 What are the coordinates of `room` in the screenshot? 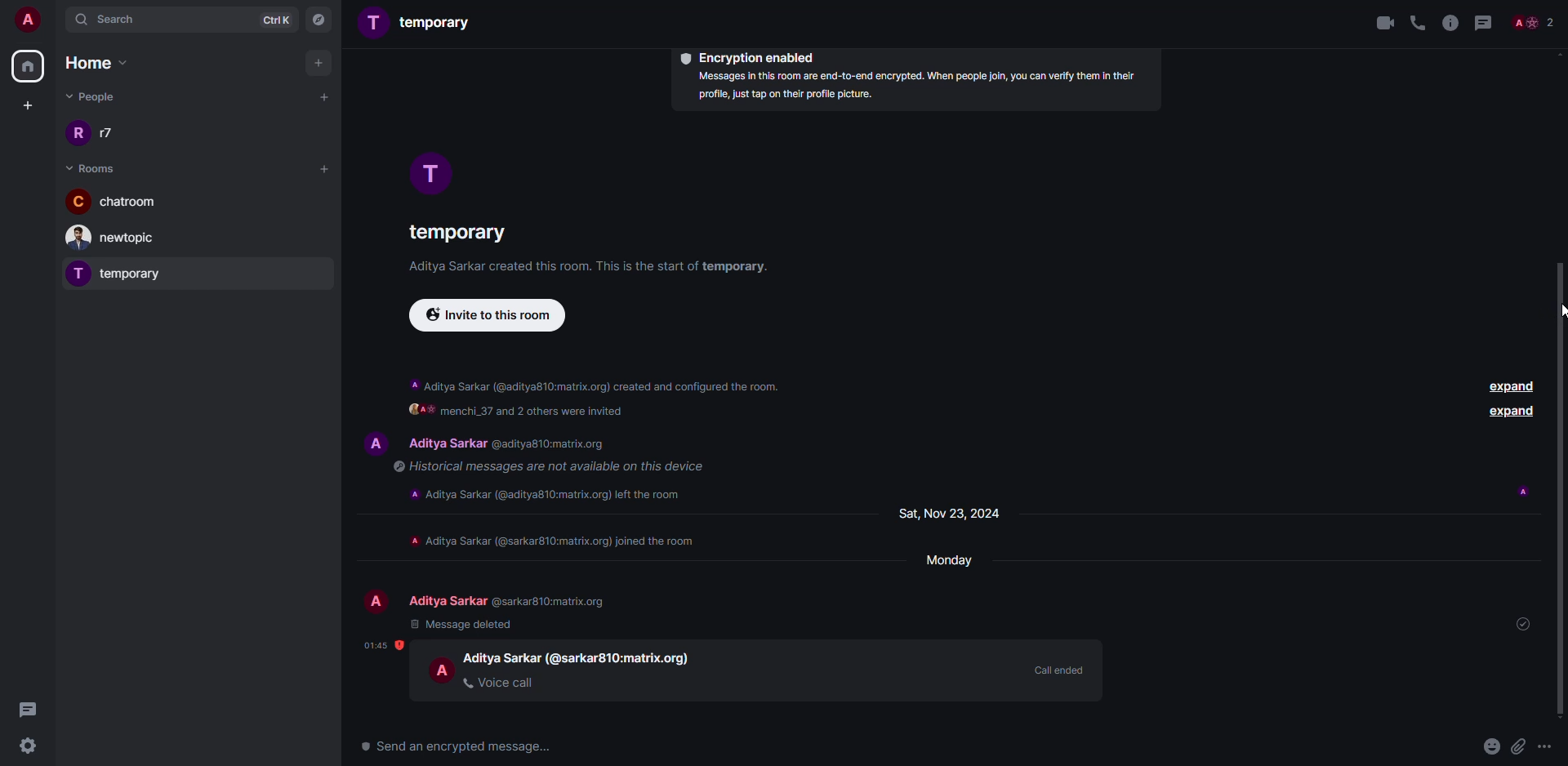 It's located at (114, 200).